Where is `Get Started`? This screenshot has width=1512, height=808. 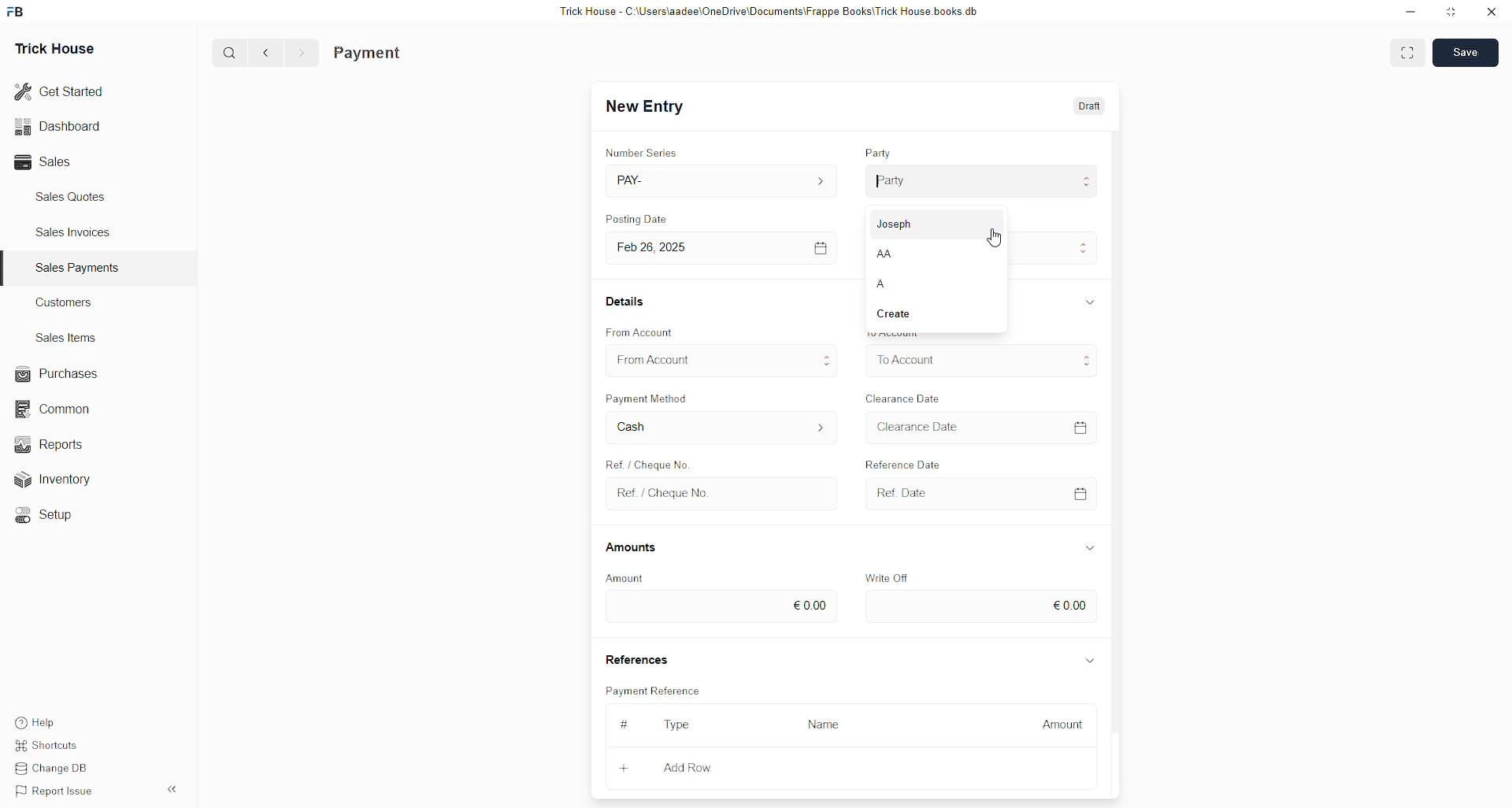
Get Started is located at coordinates (60, 92).